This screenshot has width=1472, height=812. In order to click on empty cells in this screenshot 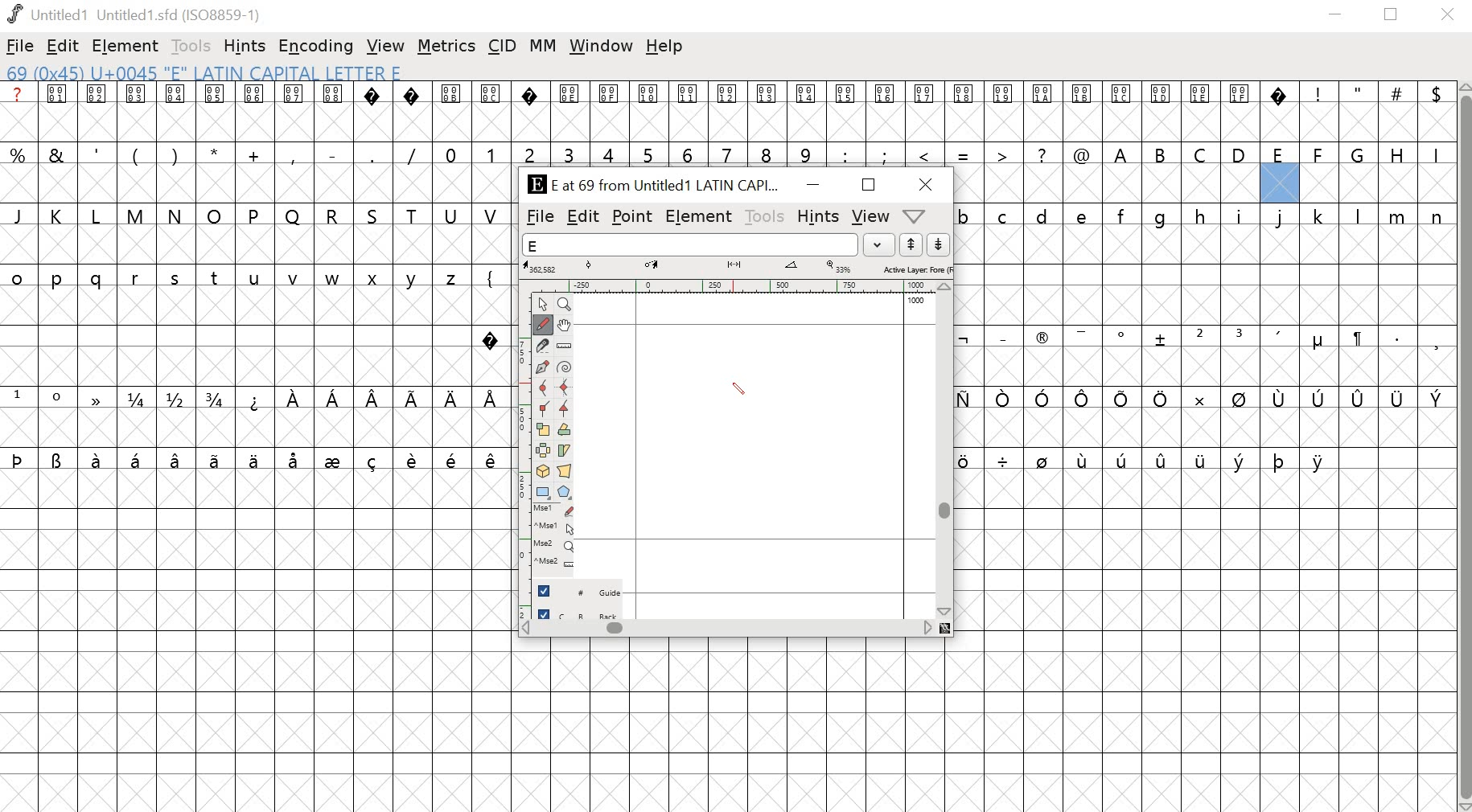, I will do `click(254, 640)`.